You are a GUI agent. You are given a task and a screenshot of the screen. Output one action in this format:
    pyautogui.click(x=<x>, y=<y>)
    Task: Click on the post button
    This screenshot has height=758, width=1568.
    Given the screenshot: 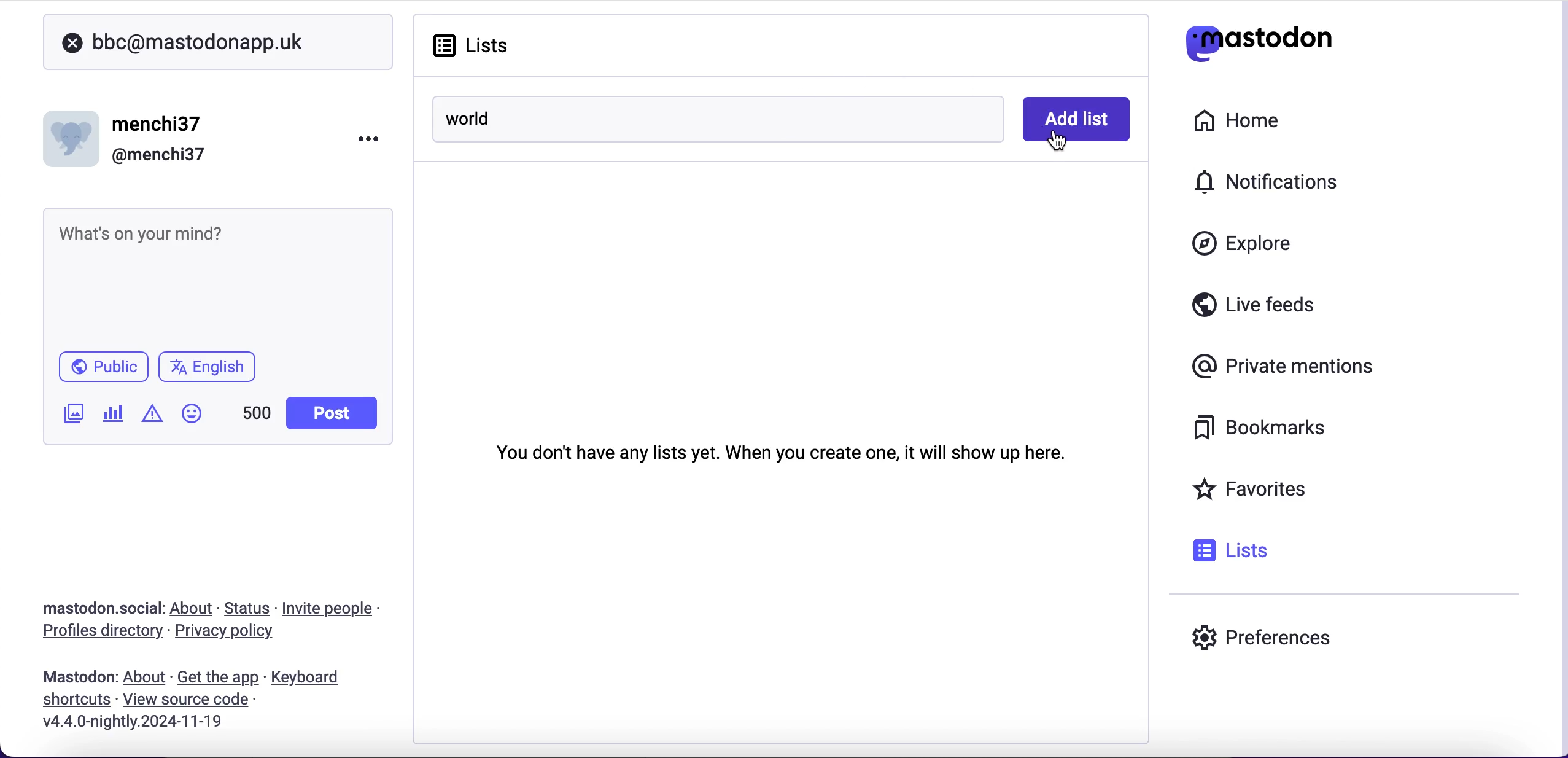 What is the action you would take?
    pyautogui.click(x=335, y=413)
    